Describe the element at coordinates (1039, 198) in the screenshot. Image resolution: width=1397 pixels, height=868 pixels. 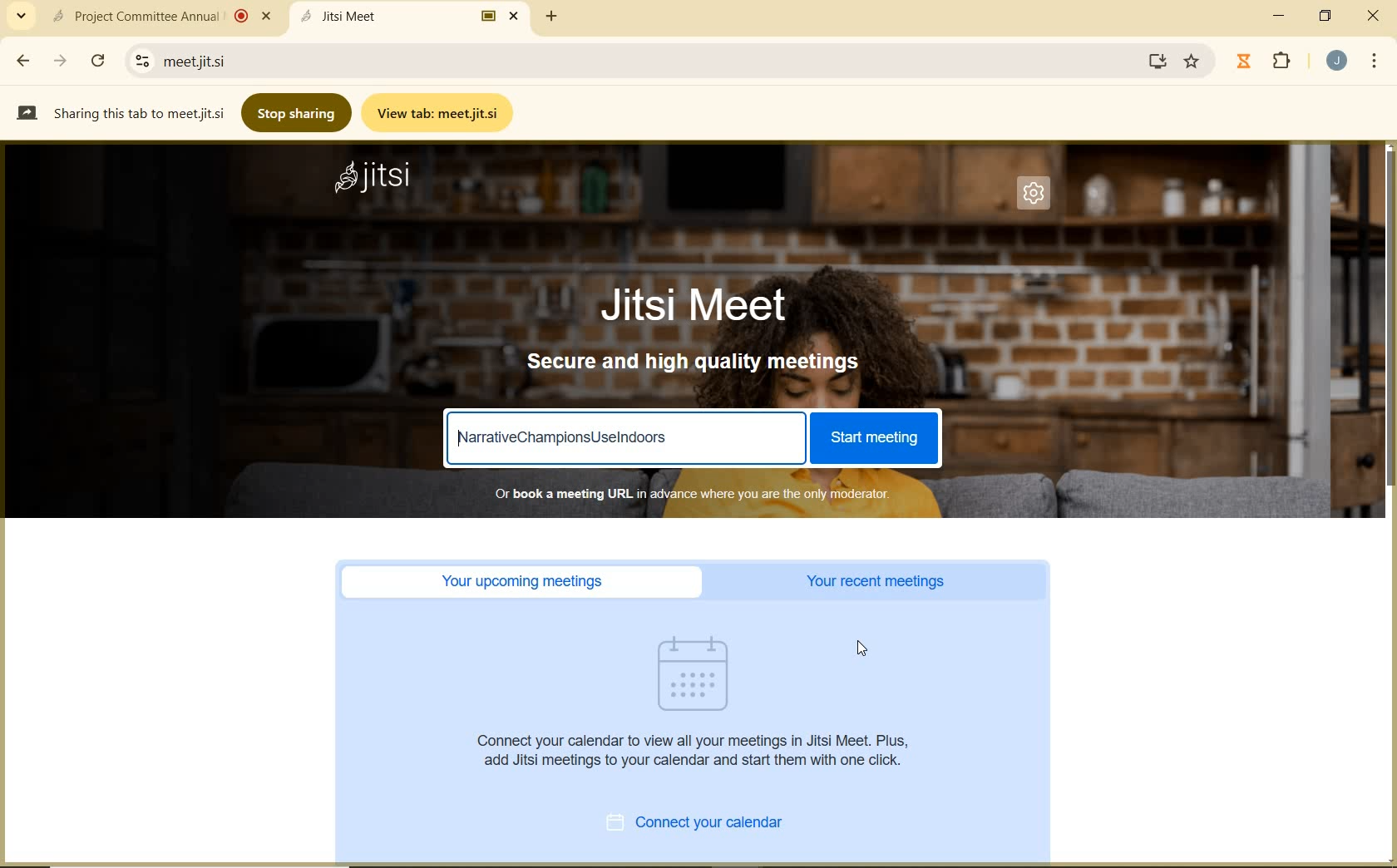
I see `SETTINGS` at that location.